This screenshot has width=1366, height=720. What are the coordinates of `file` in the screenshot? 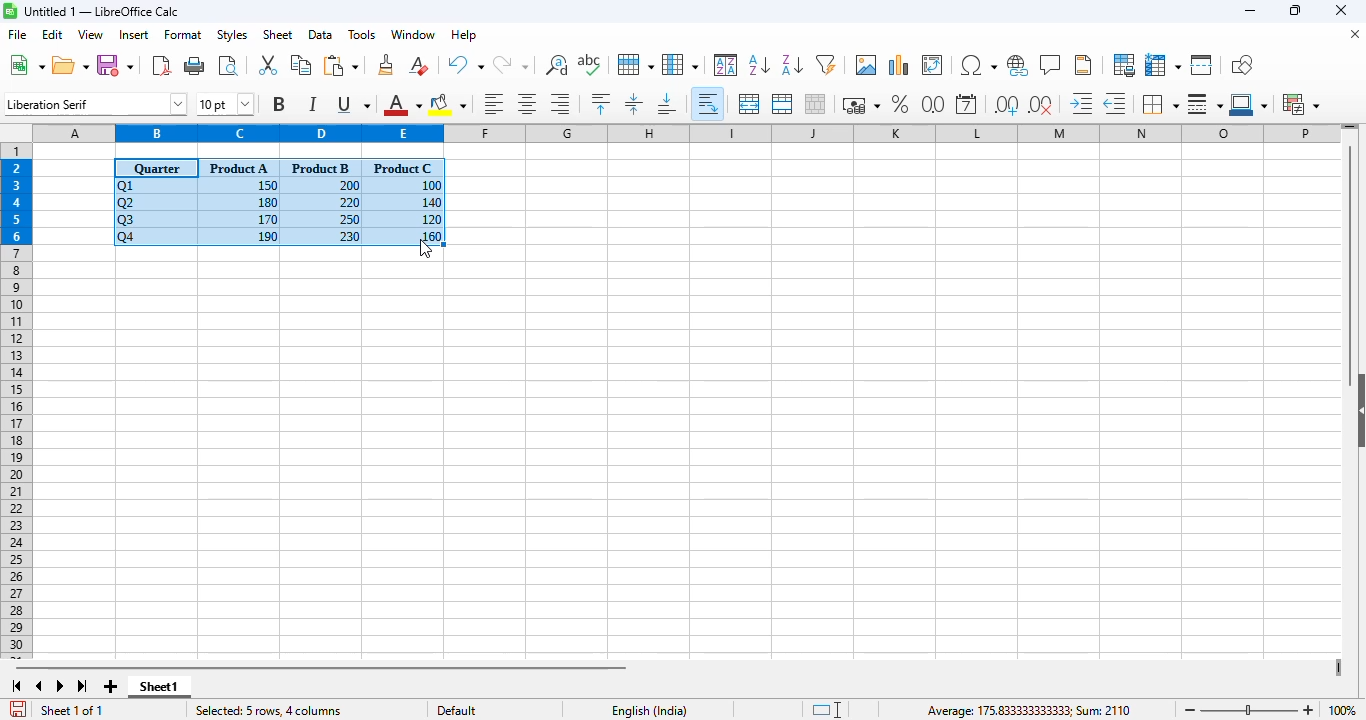 It's located at (16, 34).